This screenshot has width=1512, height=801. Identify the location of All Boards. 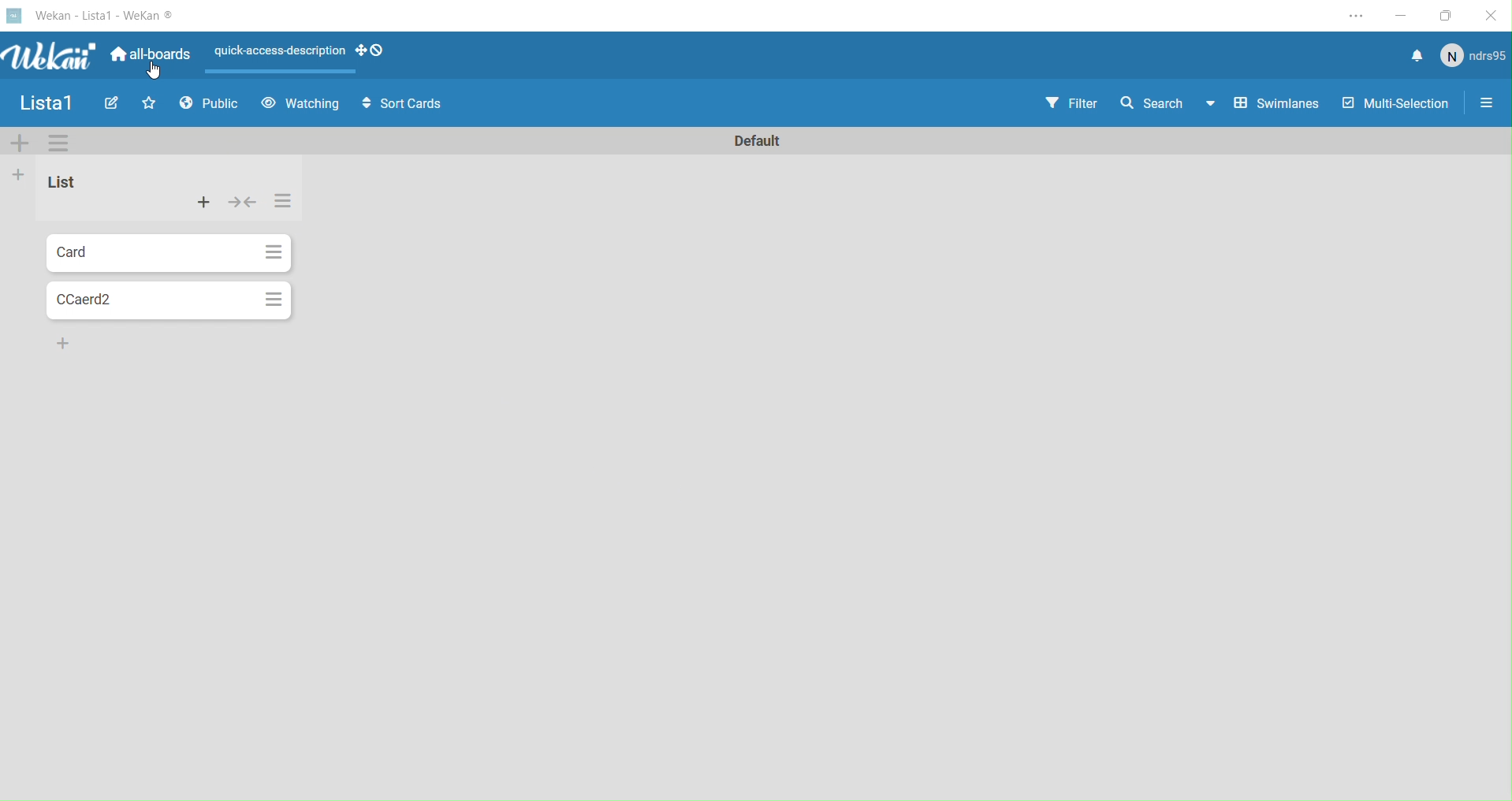
(149, 59).